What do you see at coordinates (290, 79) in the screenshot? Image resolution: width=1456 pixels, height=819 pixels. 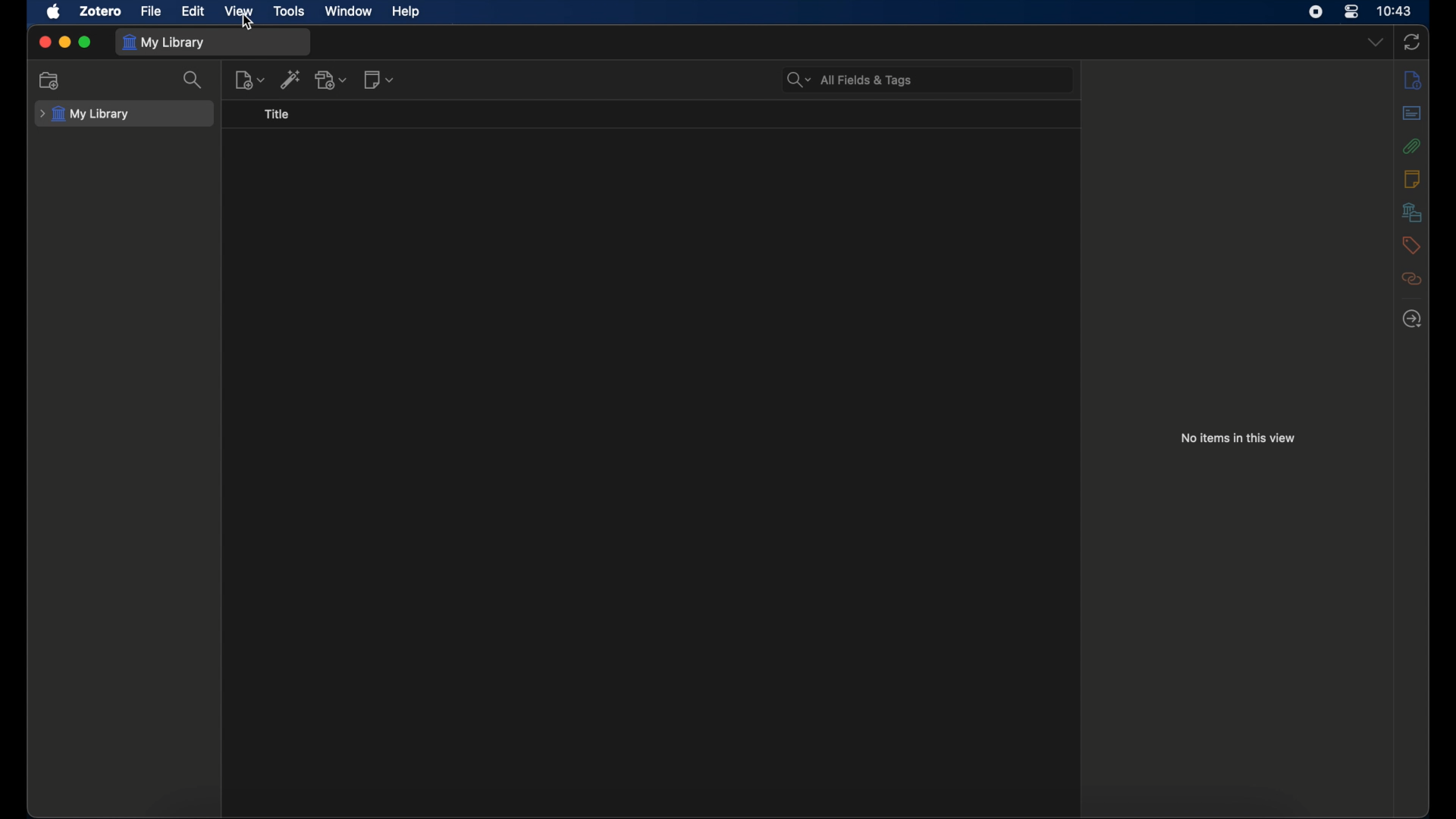 I see `add item by identifier` at bounding box center [290, 79].